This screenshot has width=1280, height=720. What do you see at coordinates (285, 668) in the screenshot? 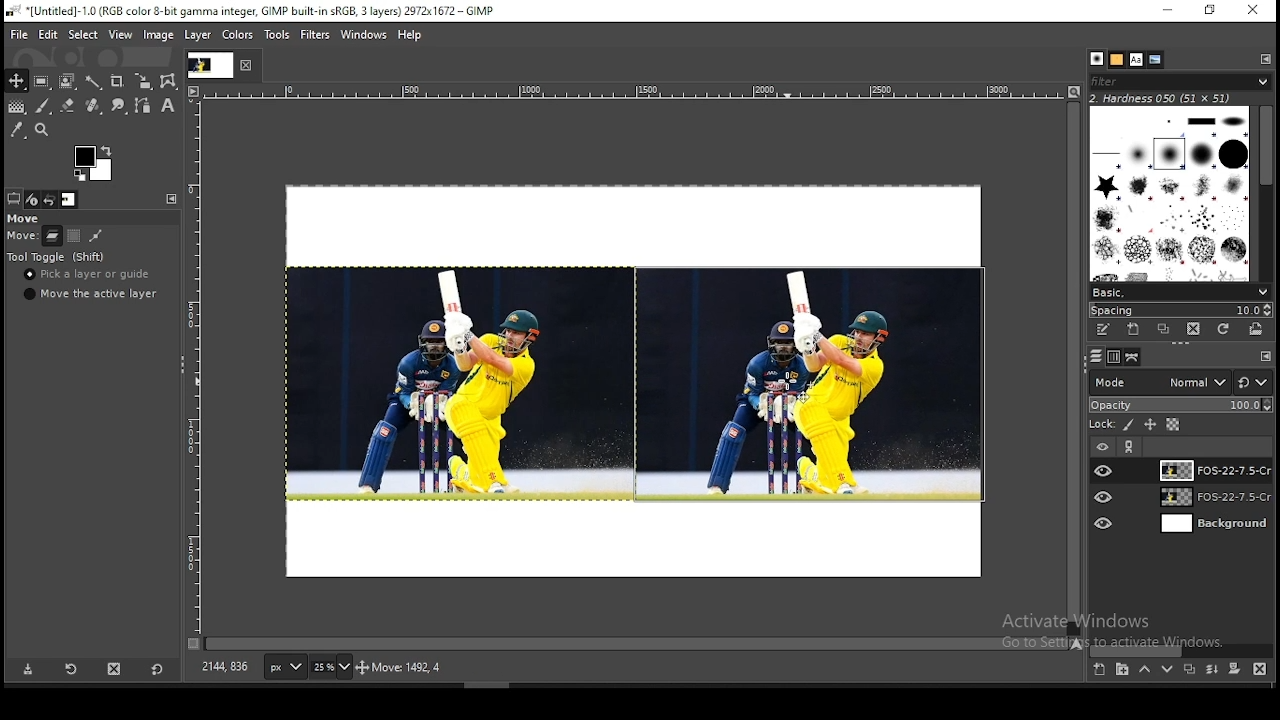
I see `units` at bounding box center [285, 668].